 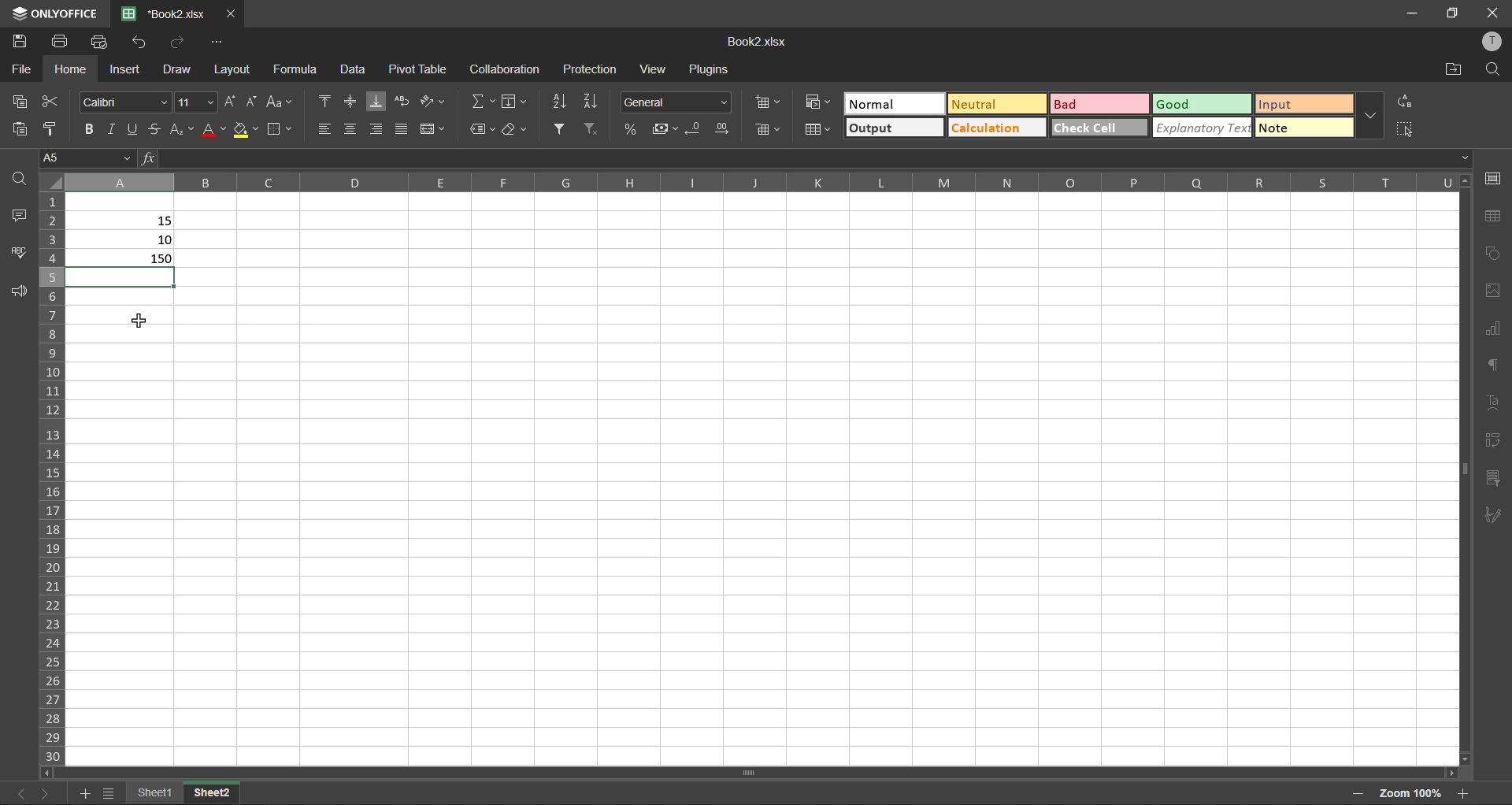 What do you see at coordinates (167, 221) in the screenshot?
I see `15` at bounding box center [167, 221].